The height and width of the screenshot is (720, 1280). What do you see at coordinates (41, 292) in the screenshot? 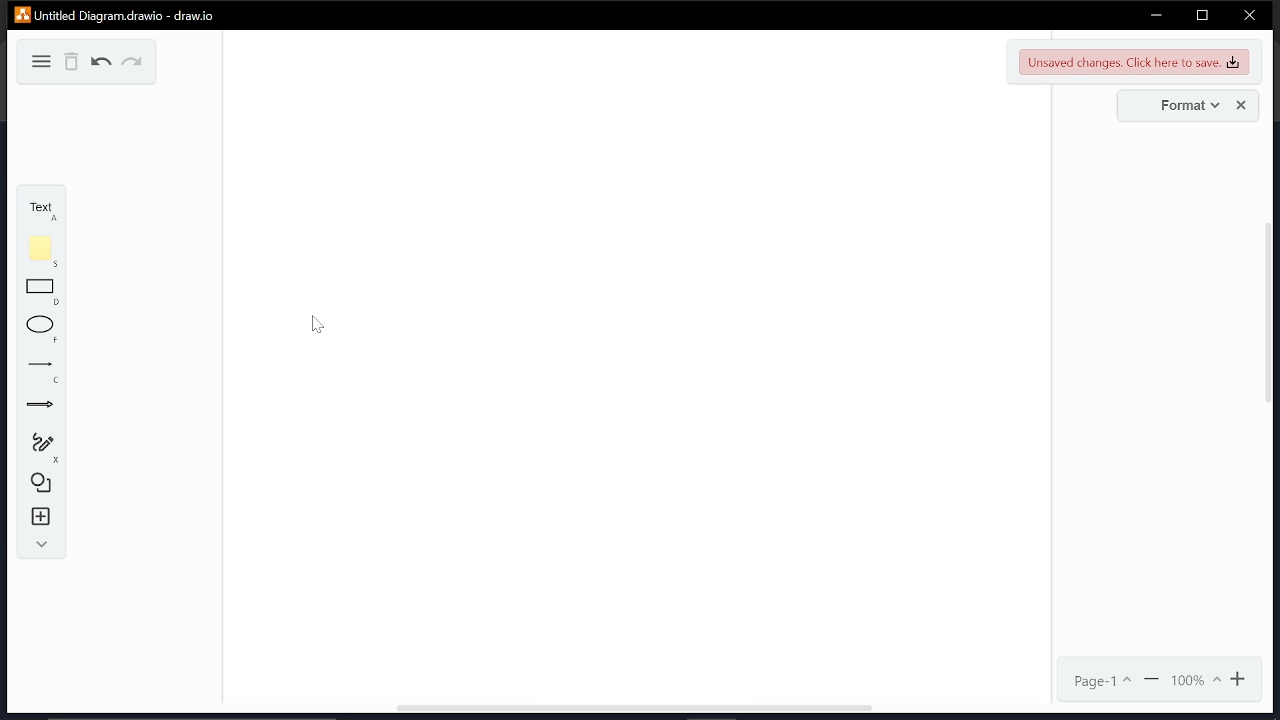
I see `rectangle` at bounding box center [41, 292].